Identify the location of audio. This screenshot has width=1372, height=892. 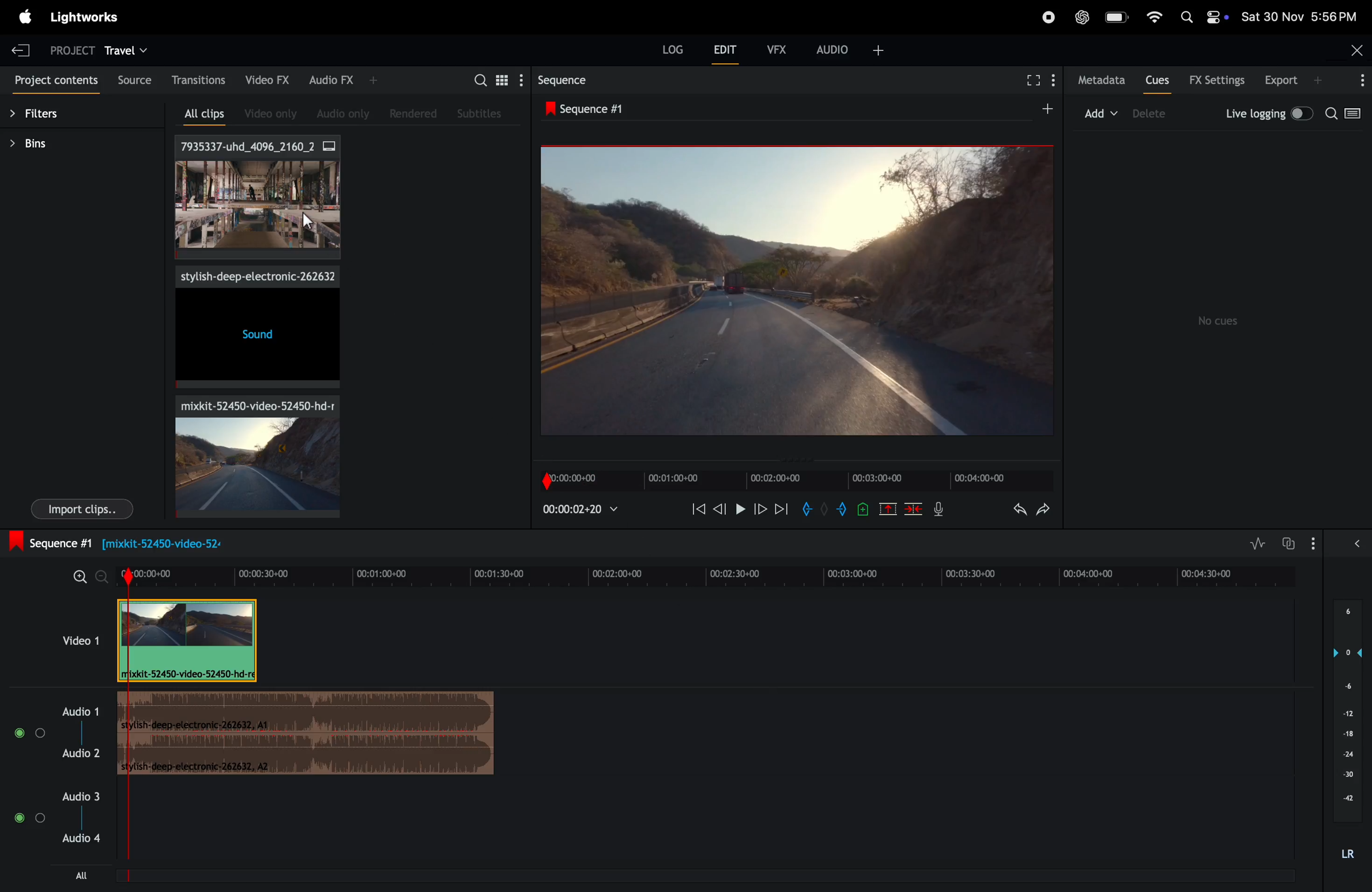
(850, 48).